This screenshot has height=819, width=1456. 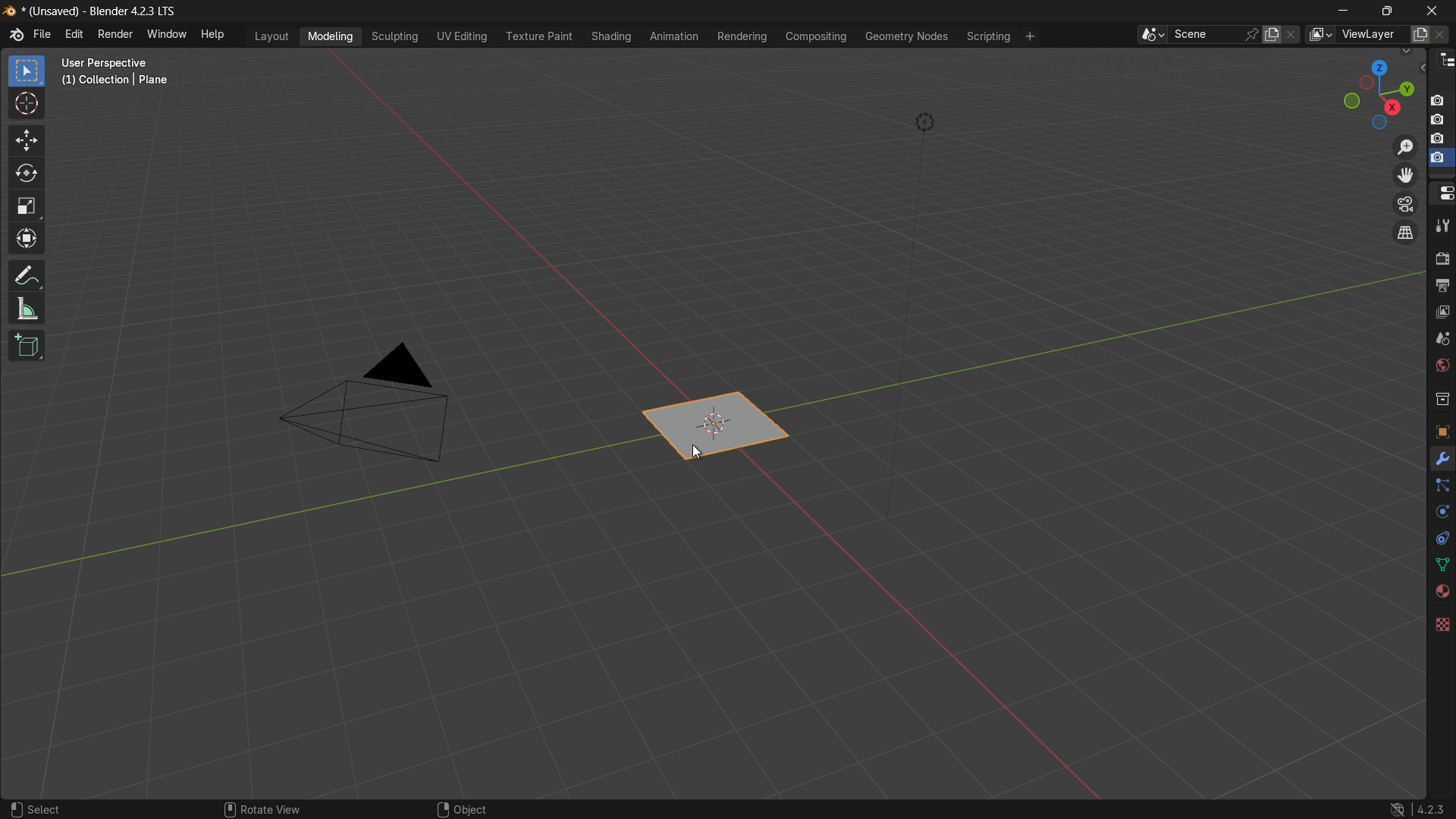 What do you see at coordinates (463, 37) in the screenshot?
I see `uv editing` at bounding box center [463, 37].